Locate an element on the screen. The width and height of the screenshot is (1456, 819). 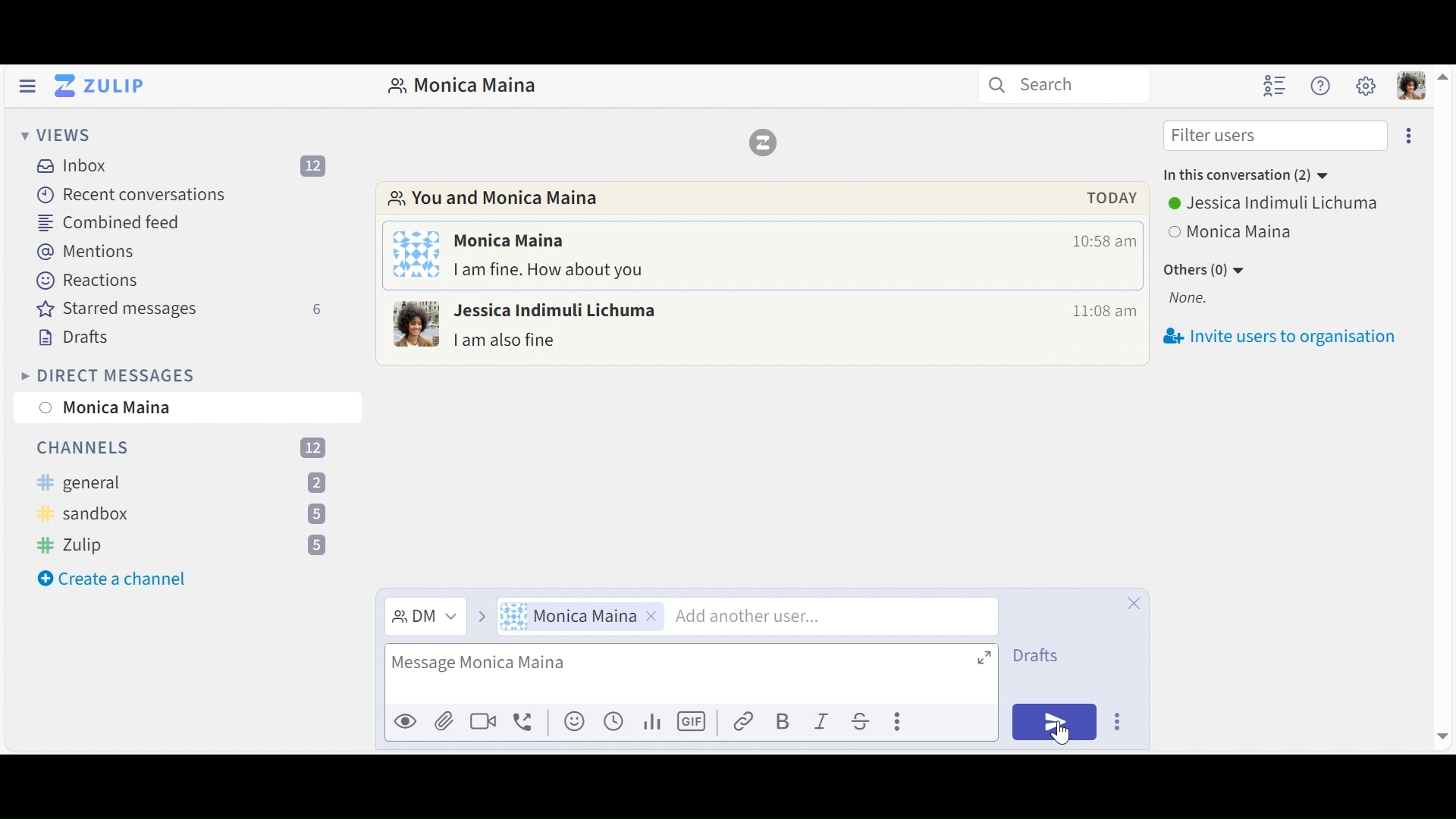
Add global time is located at coordinates (616, 722).